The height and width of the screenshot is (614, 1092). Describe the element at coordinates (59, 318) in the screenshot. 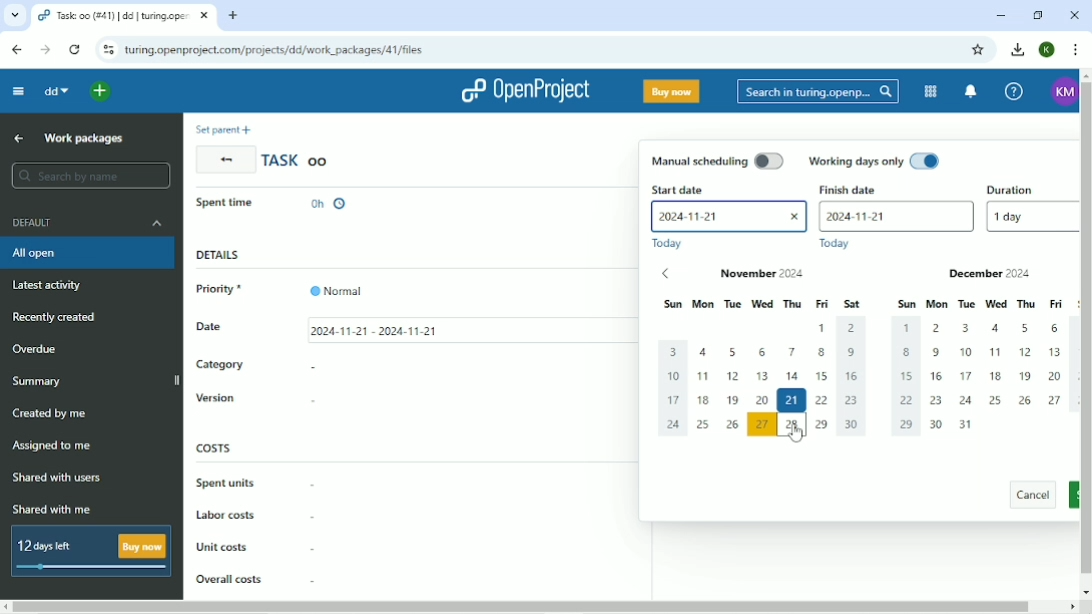

I see `Recently created` at that location.